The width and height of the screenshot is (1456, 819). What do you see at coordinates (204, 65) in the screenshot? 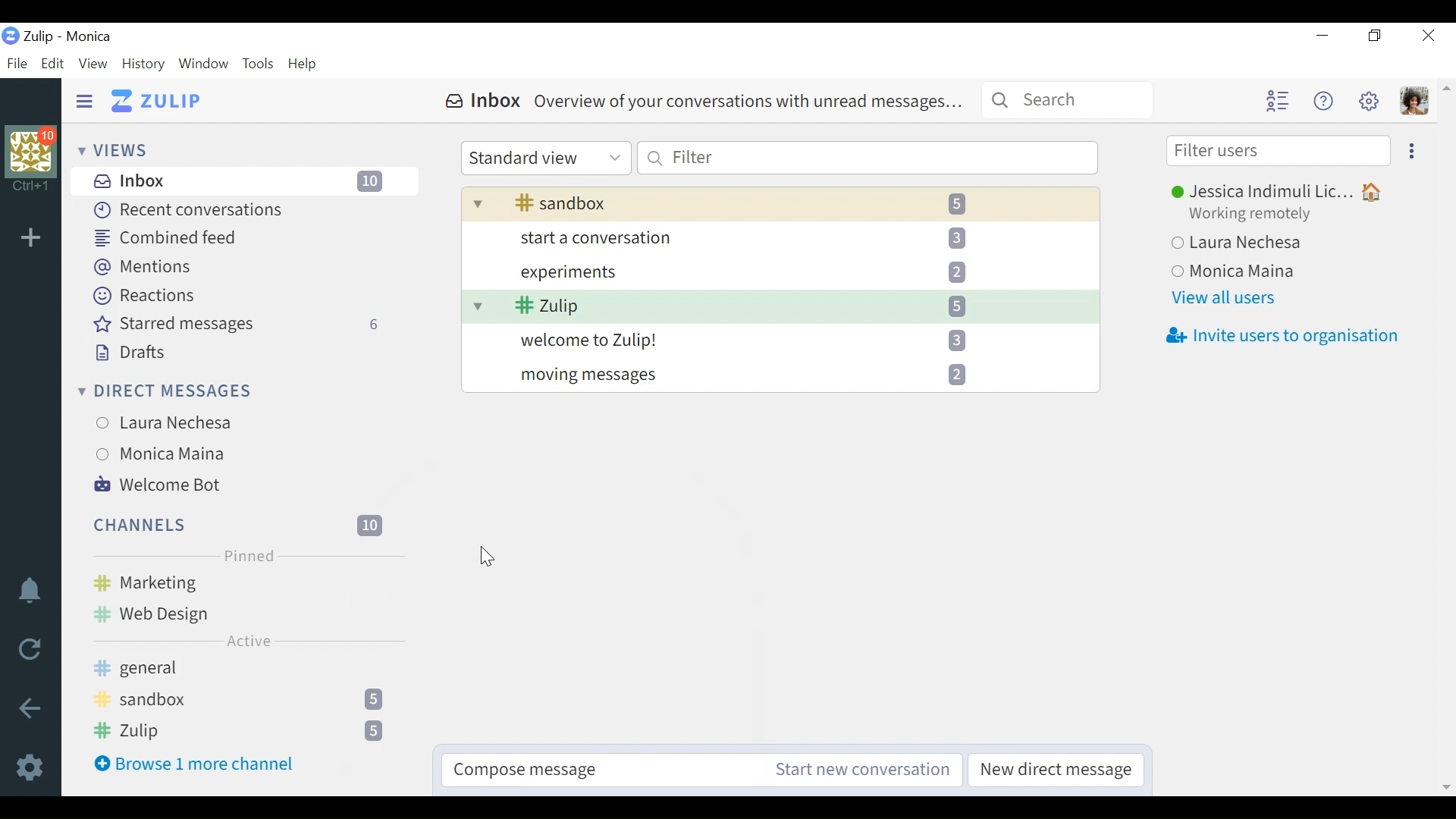
I see `Window` at bounding box center [204, 65].